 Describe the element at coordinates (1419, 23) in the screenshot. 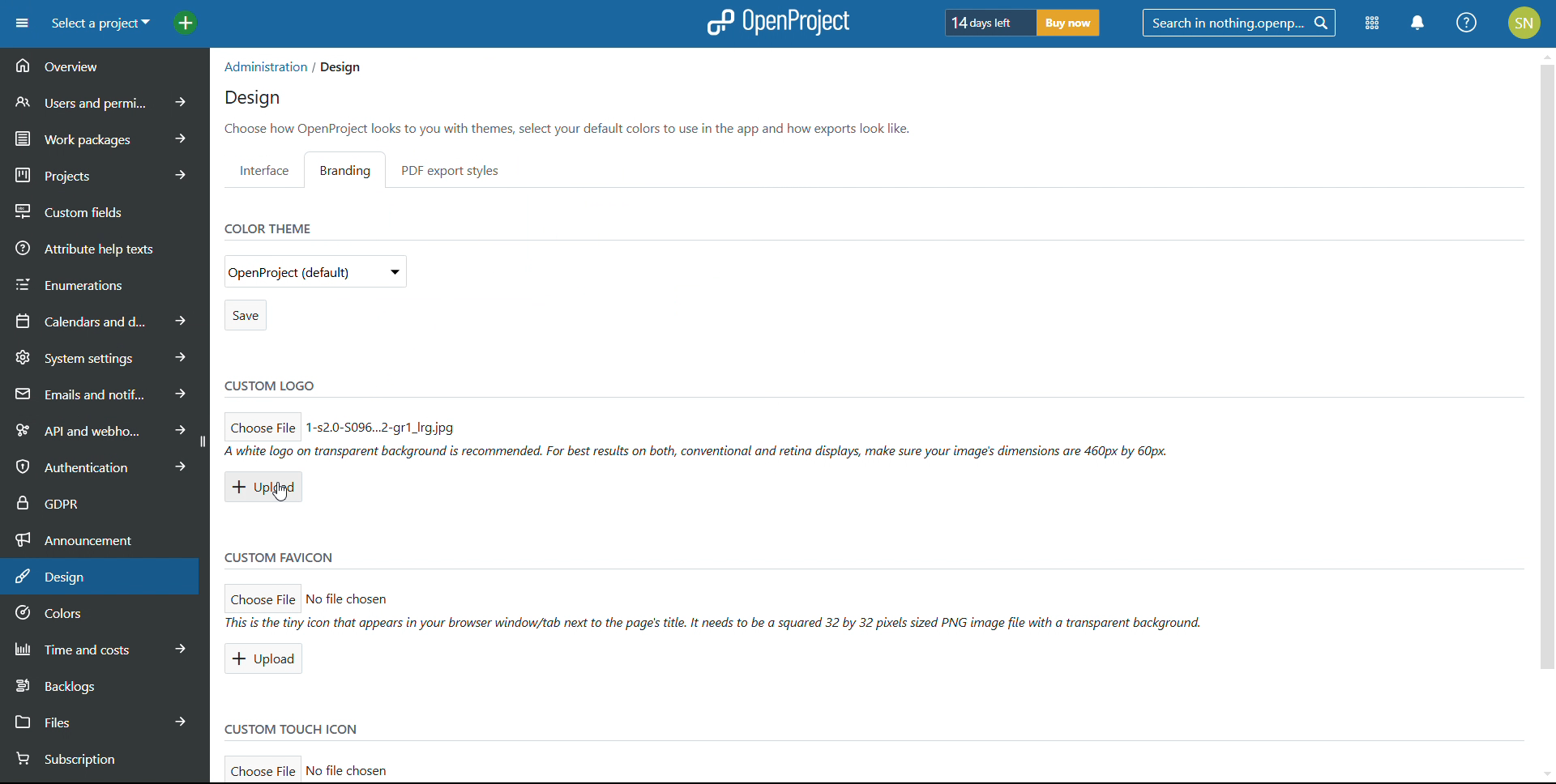

I see `notifications` at that location.